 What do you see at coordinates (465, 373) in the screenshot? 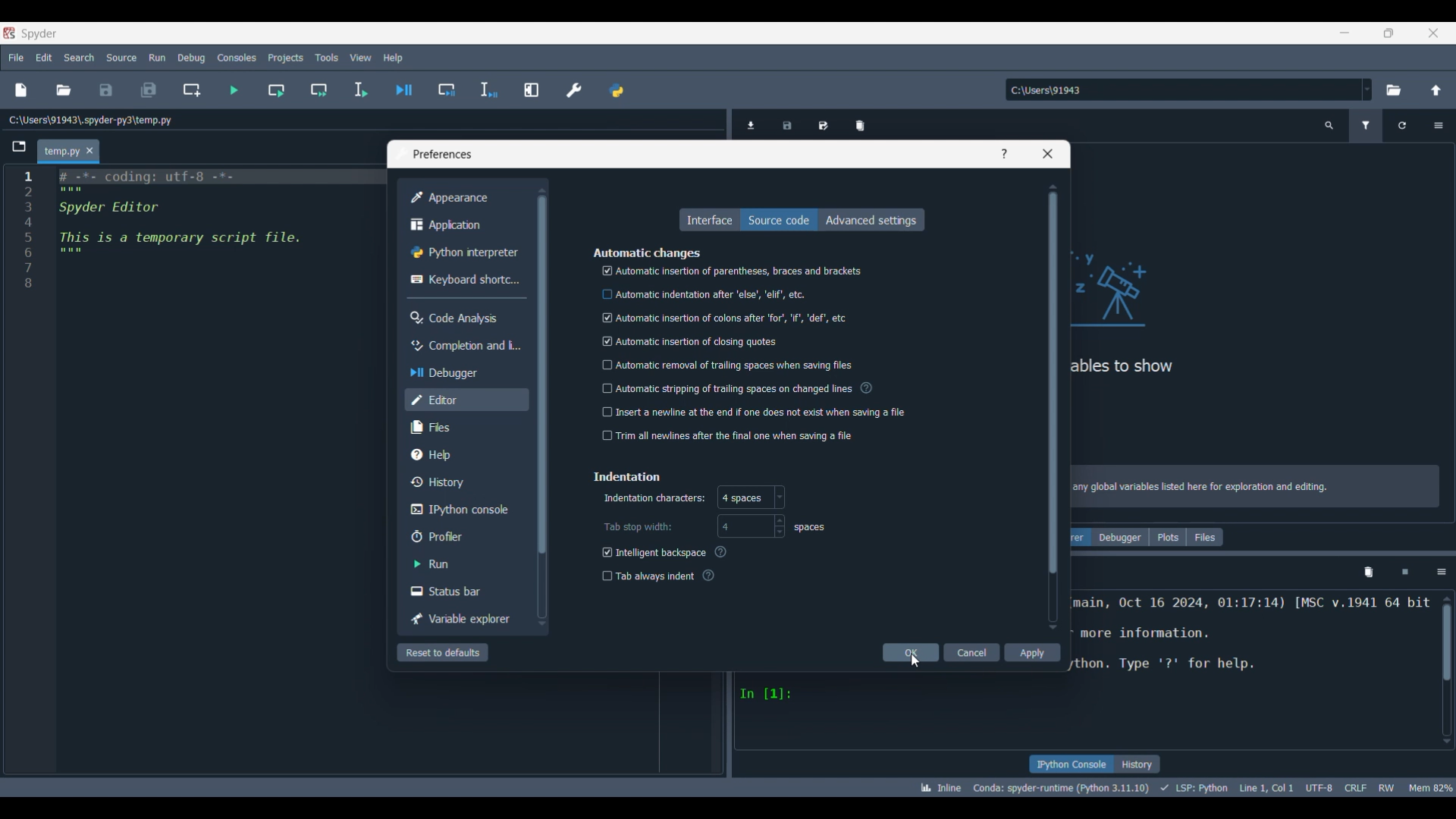
I see `Debugger` at bounding box center [465, 373].